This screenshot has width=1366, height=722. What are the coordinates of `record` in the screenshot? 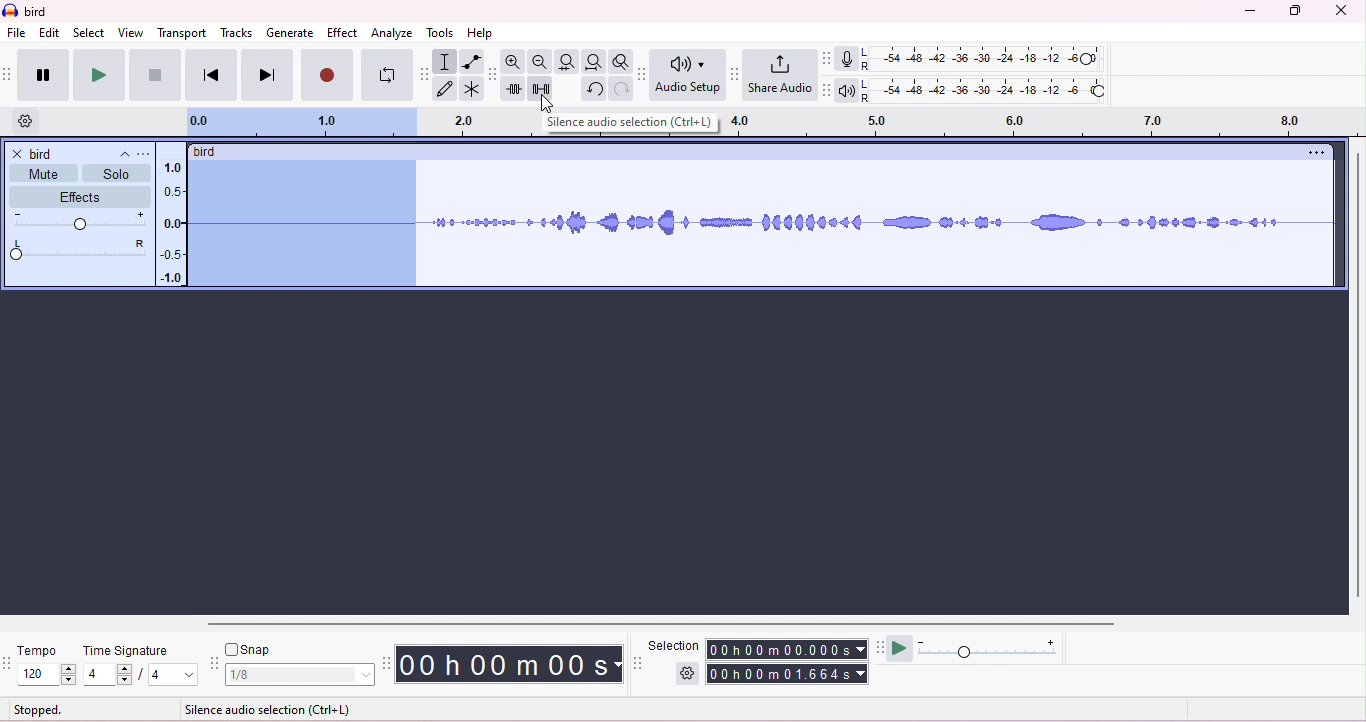 It's located at (326, 75).